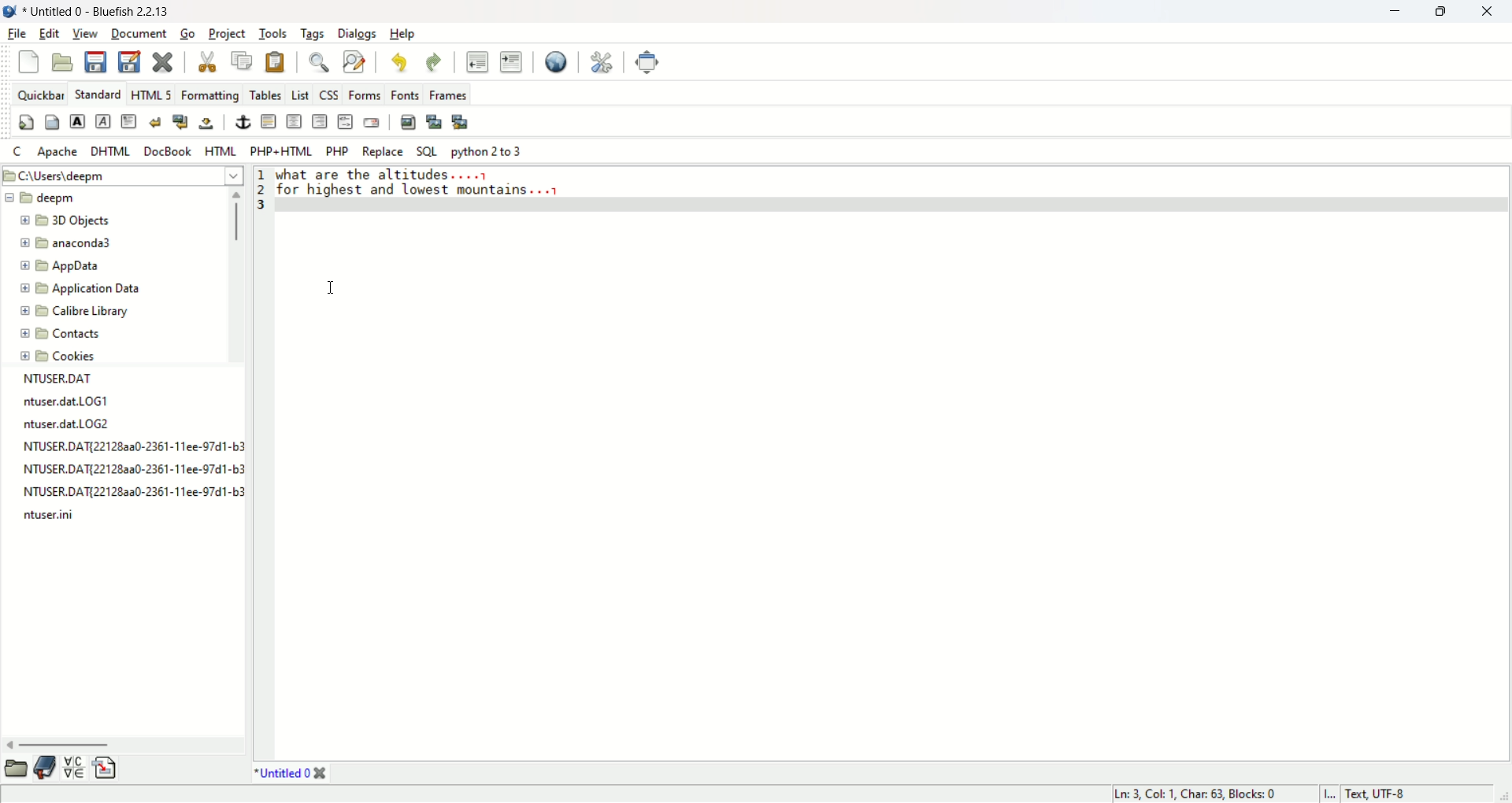 This screenshot has width=1512, height=803. What do you see at coordinates (477, 62) in the screenshot?
I see `unindent` at bounding box center [477, 62].